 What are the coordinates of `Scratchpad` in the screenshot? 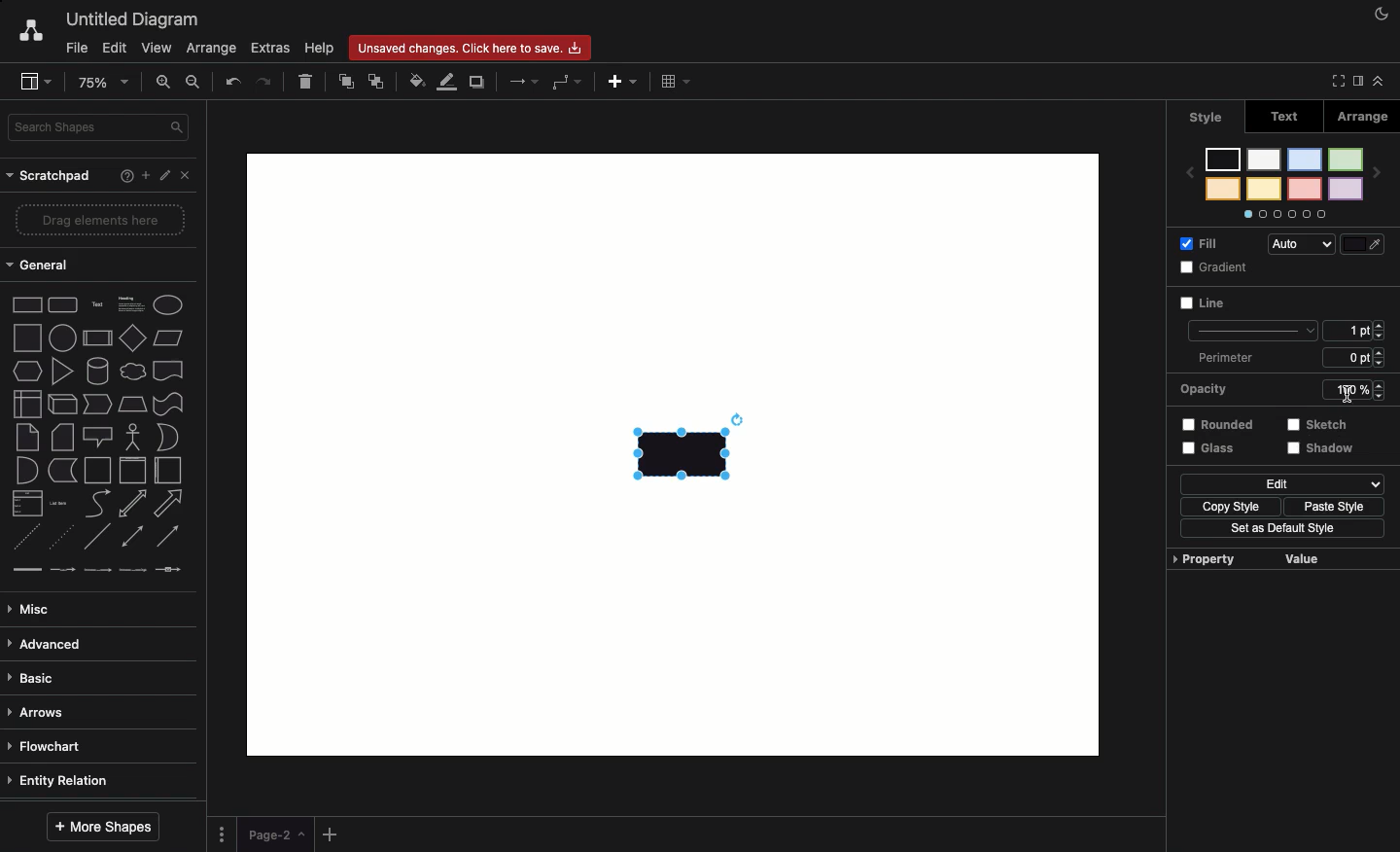 It's located at (48, 179).